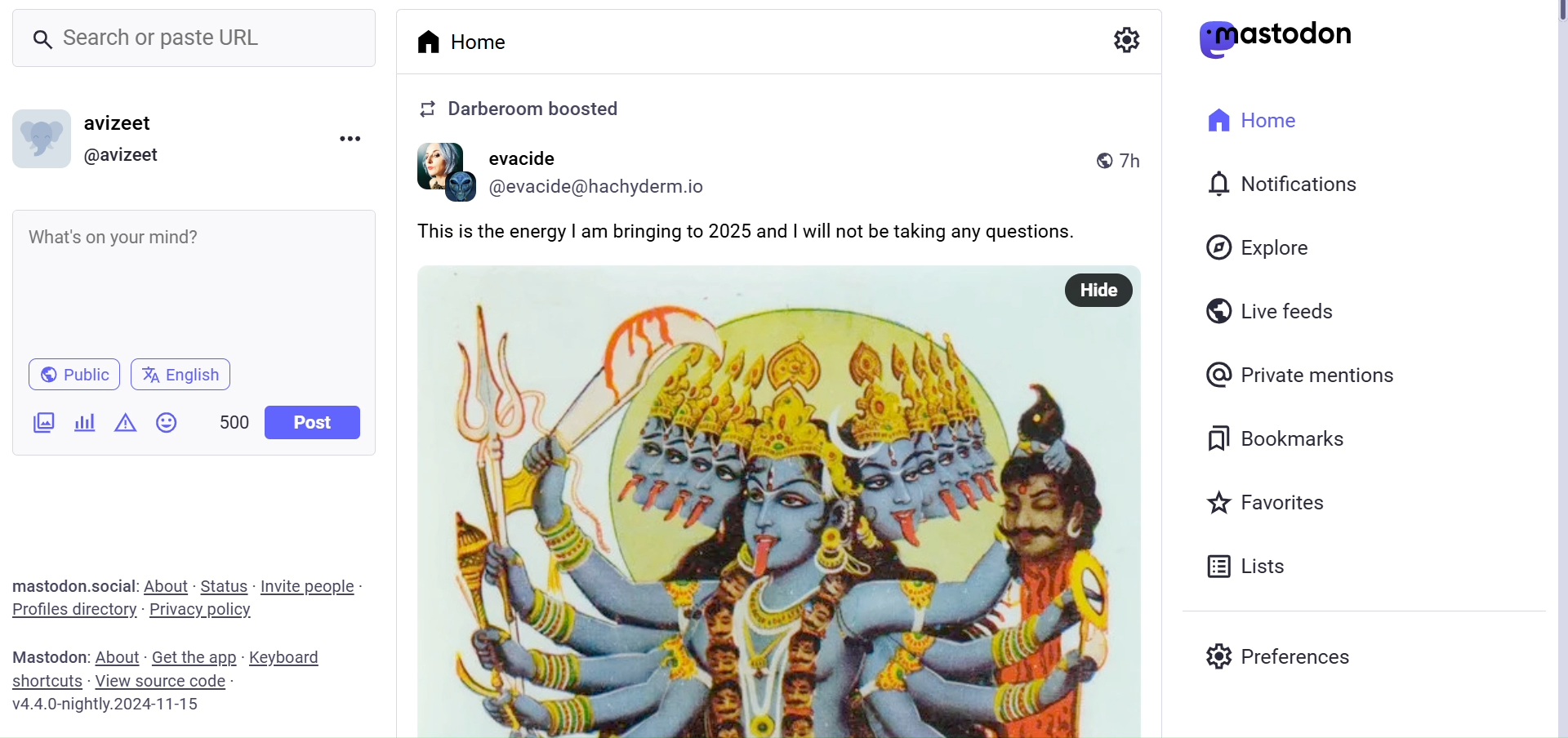  I want to click on Search bar, so click(191, 37).